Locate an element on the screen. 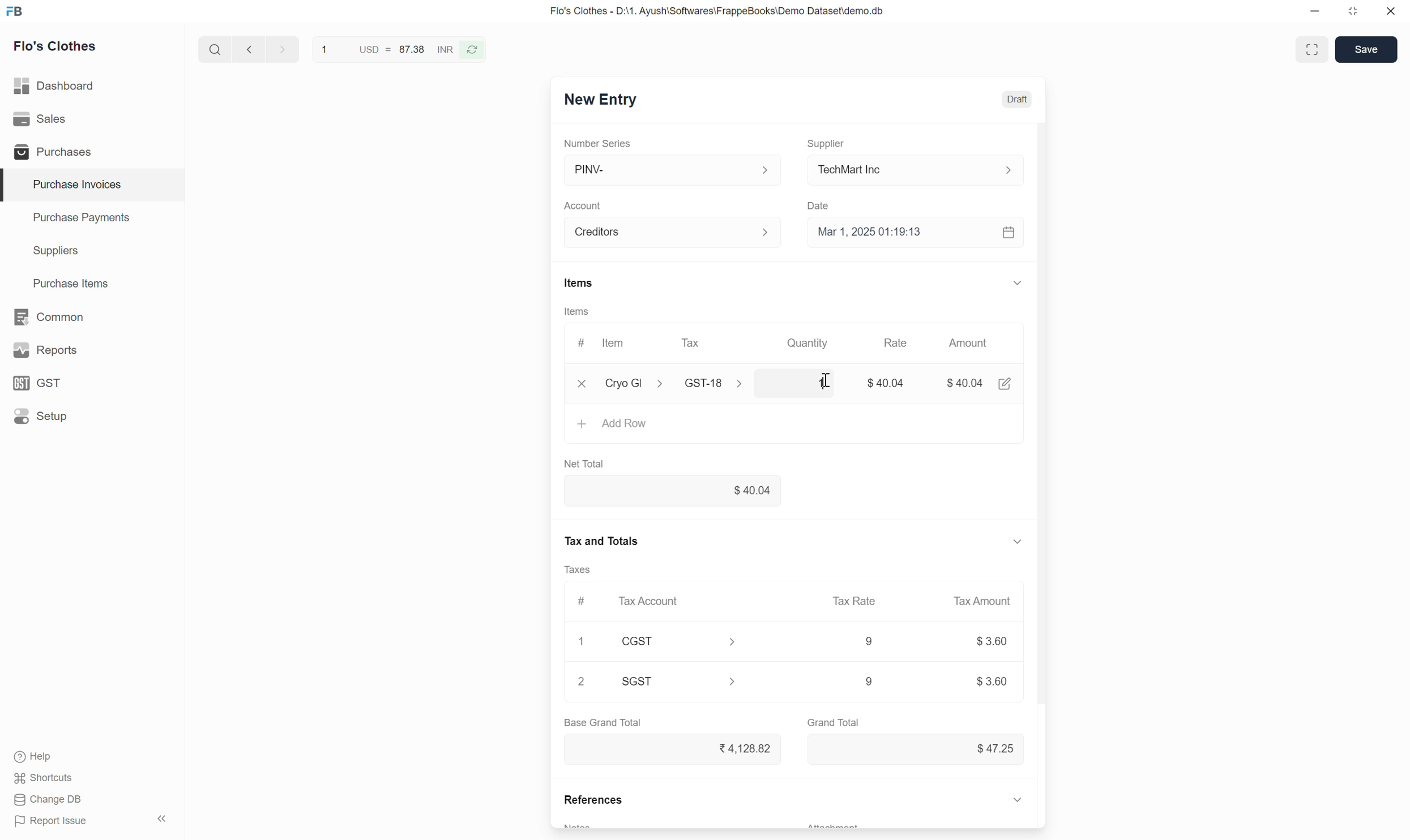 Image resolution: width=1410 pixels, height=840 pixels. Shortcuts is located at coordinates (45, 779).